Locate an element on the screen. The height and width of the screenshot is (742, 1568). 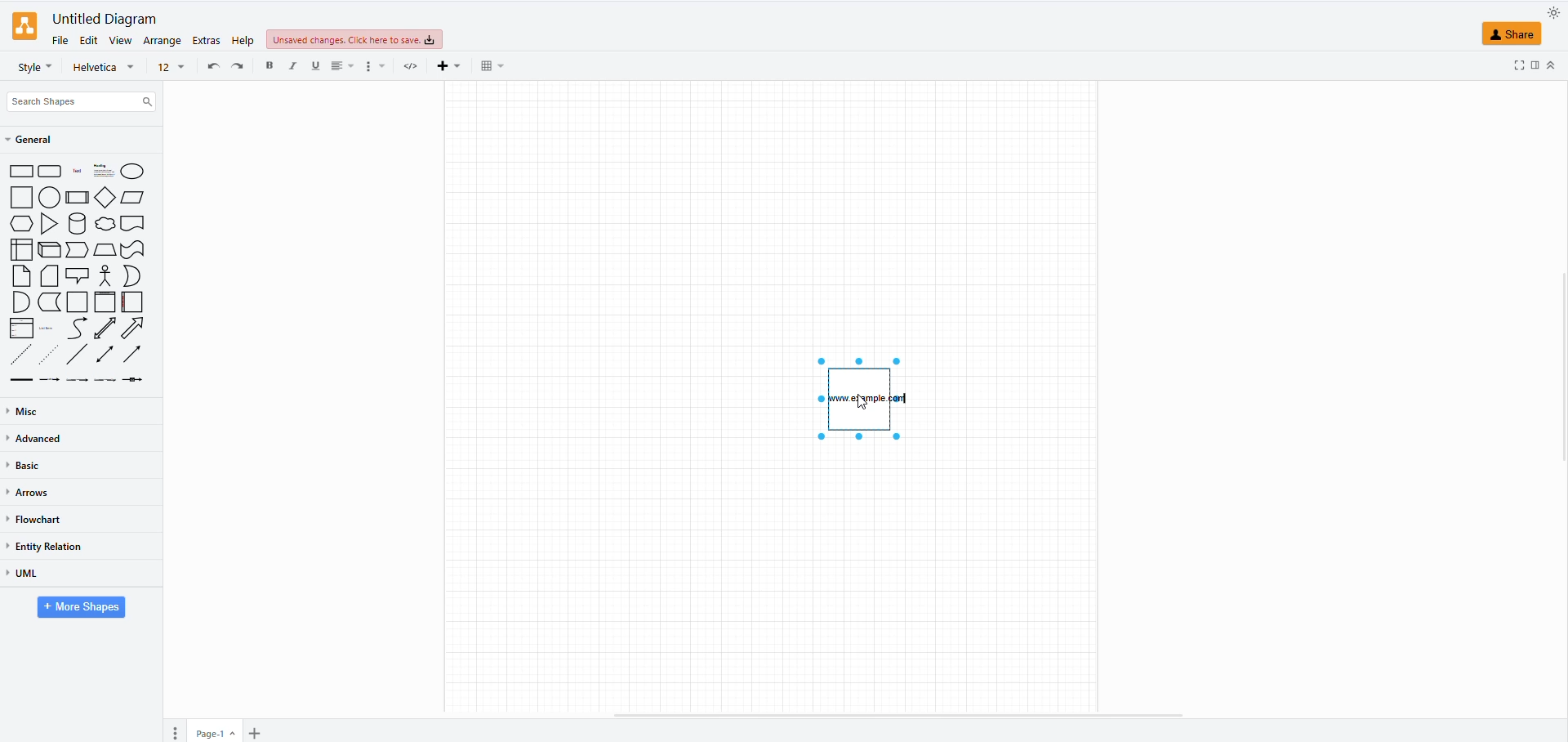
fullscreen is located at coordinates (1512, 65).